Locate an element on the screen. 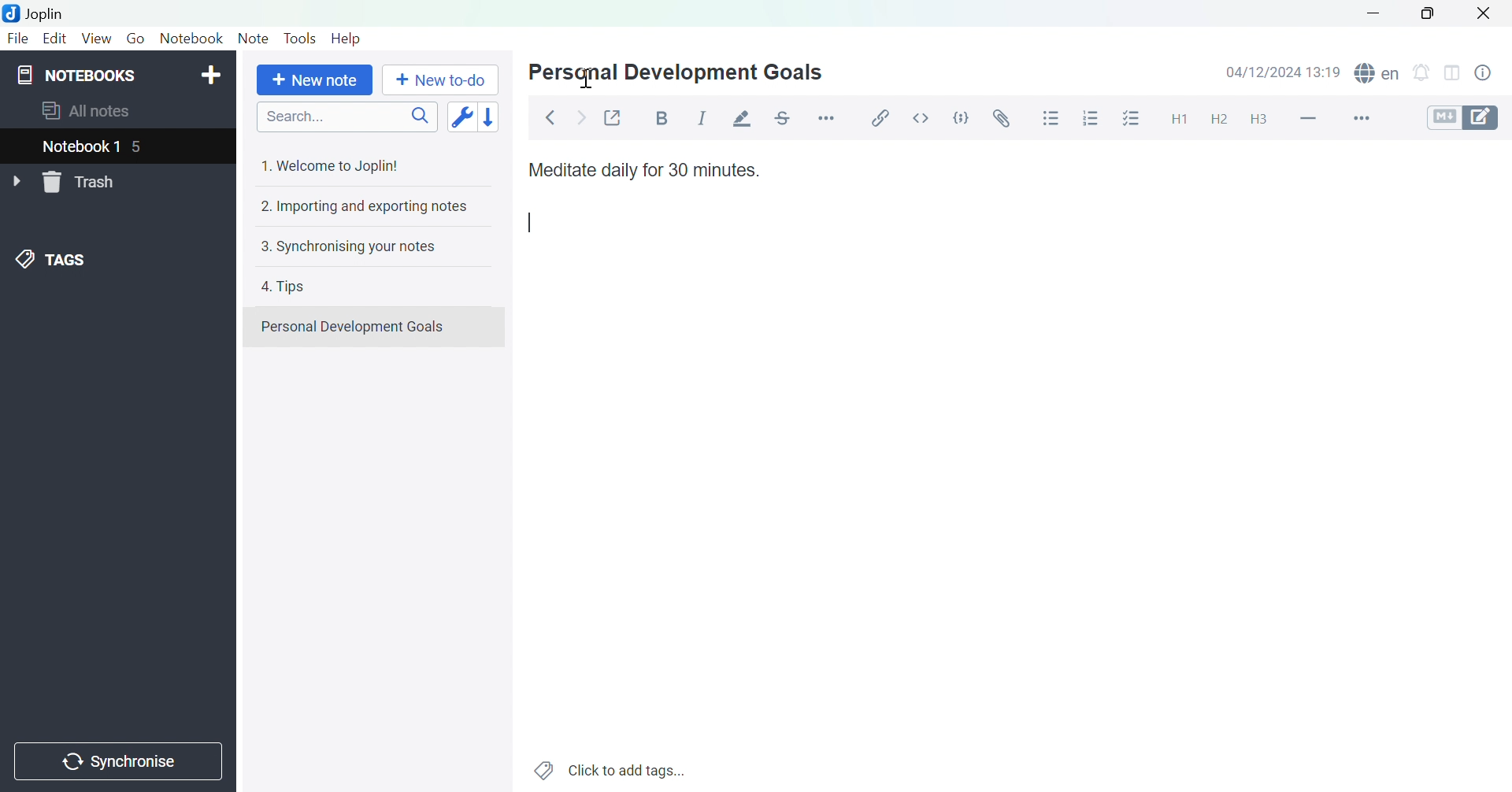 The width and height of the screenshot is (1512, 792). New note is located at coordinates (314, 81).